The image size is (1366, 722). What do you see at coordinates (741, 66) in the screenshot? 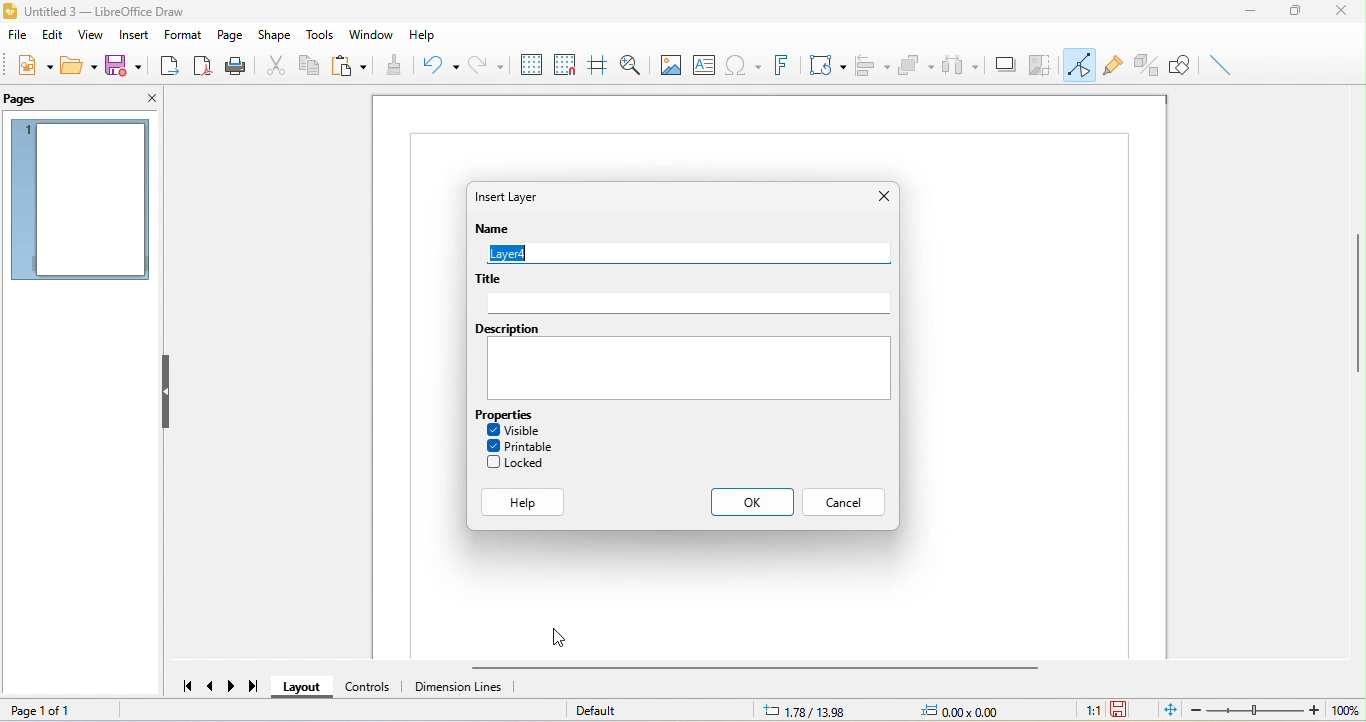
I see `special character` at bounding box center [741, 66].